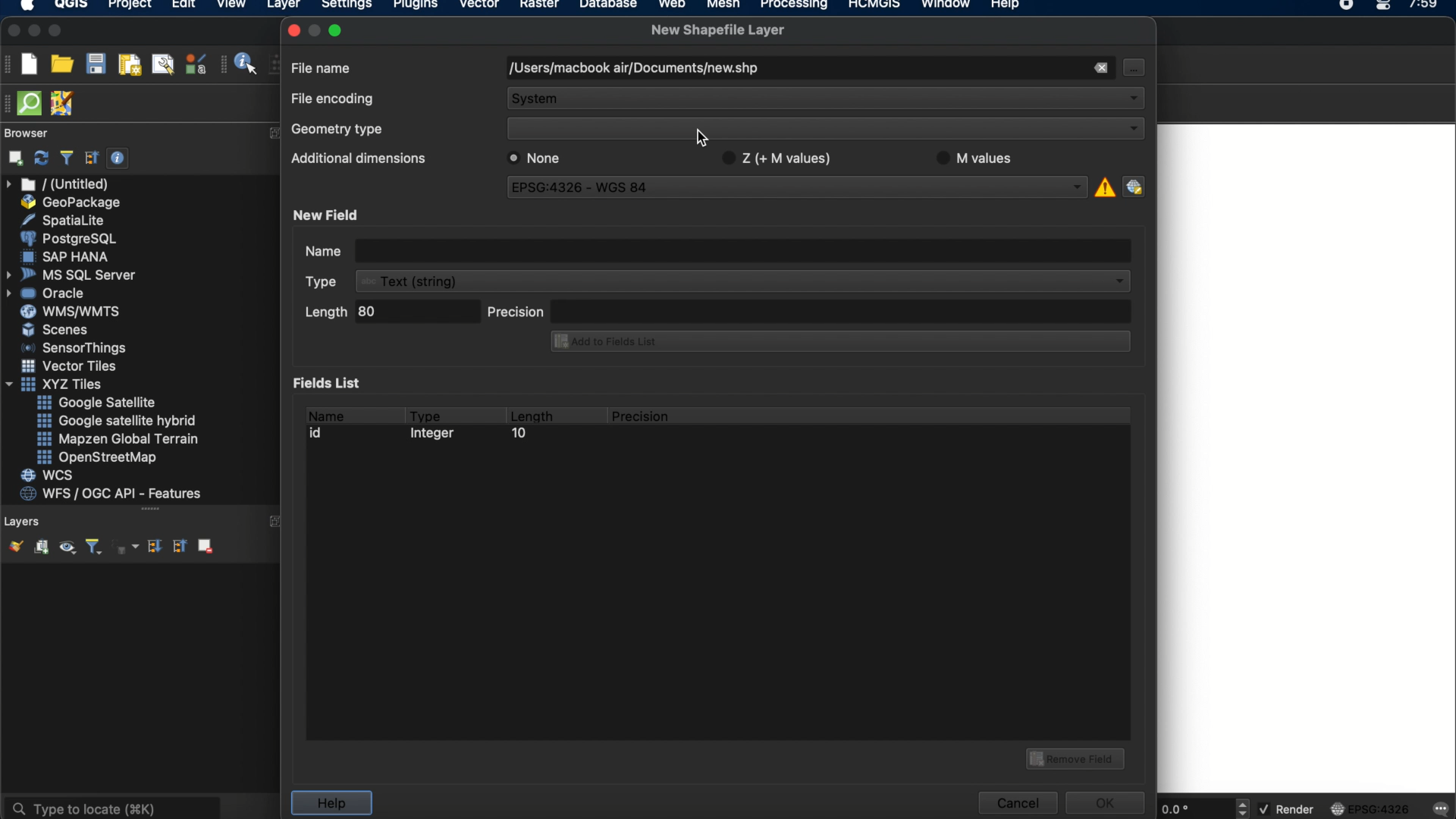  Describe the element at coordinates (320, 433) in the screenshot. I see `id` at that location.